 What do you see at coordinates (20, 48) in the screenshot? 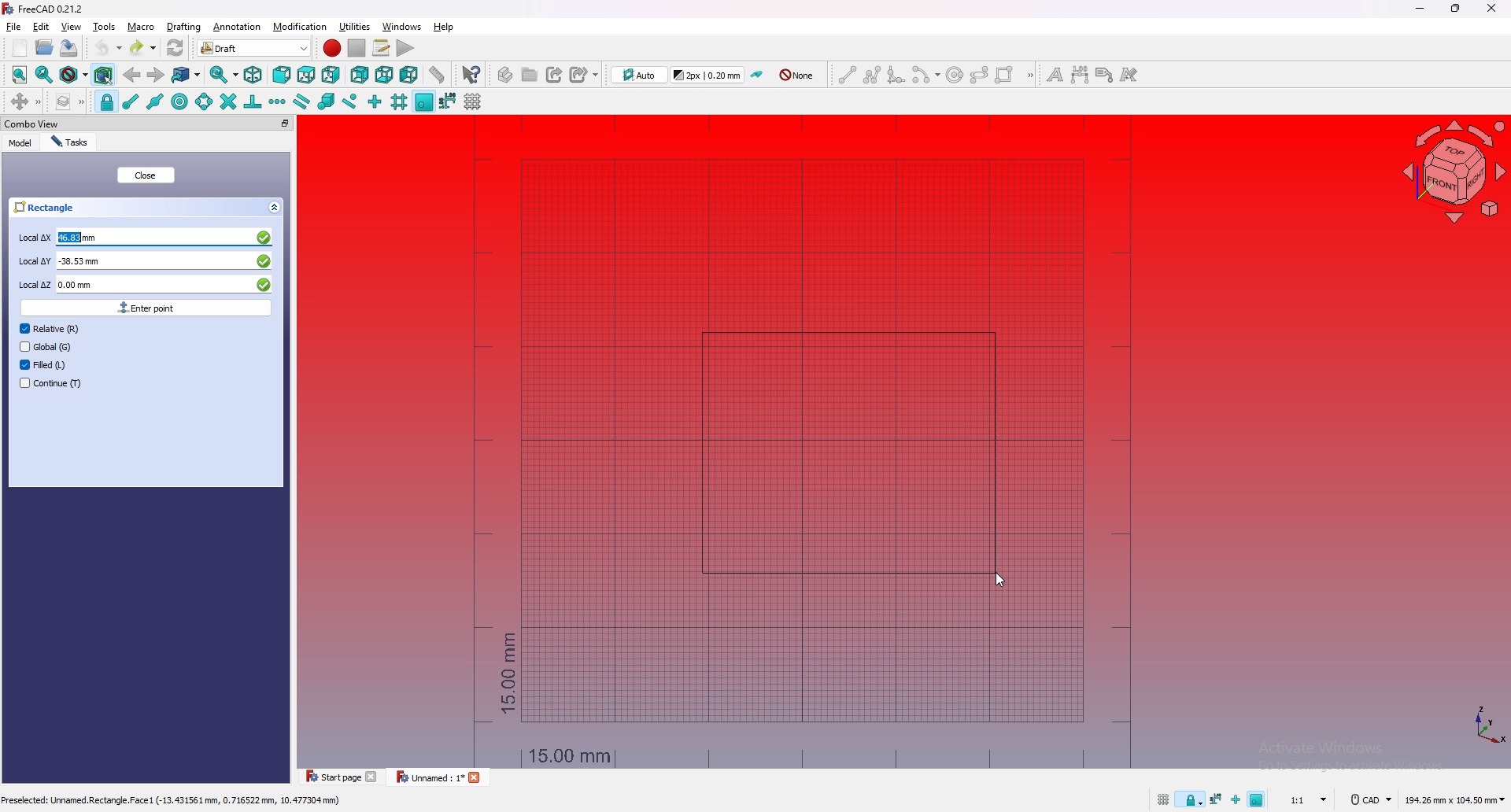
I see `new` at bounding box center [20, 48].